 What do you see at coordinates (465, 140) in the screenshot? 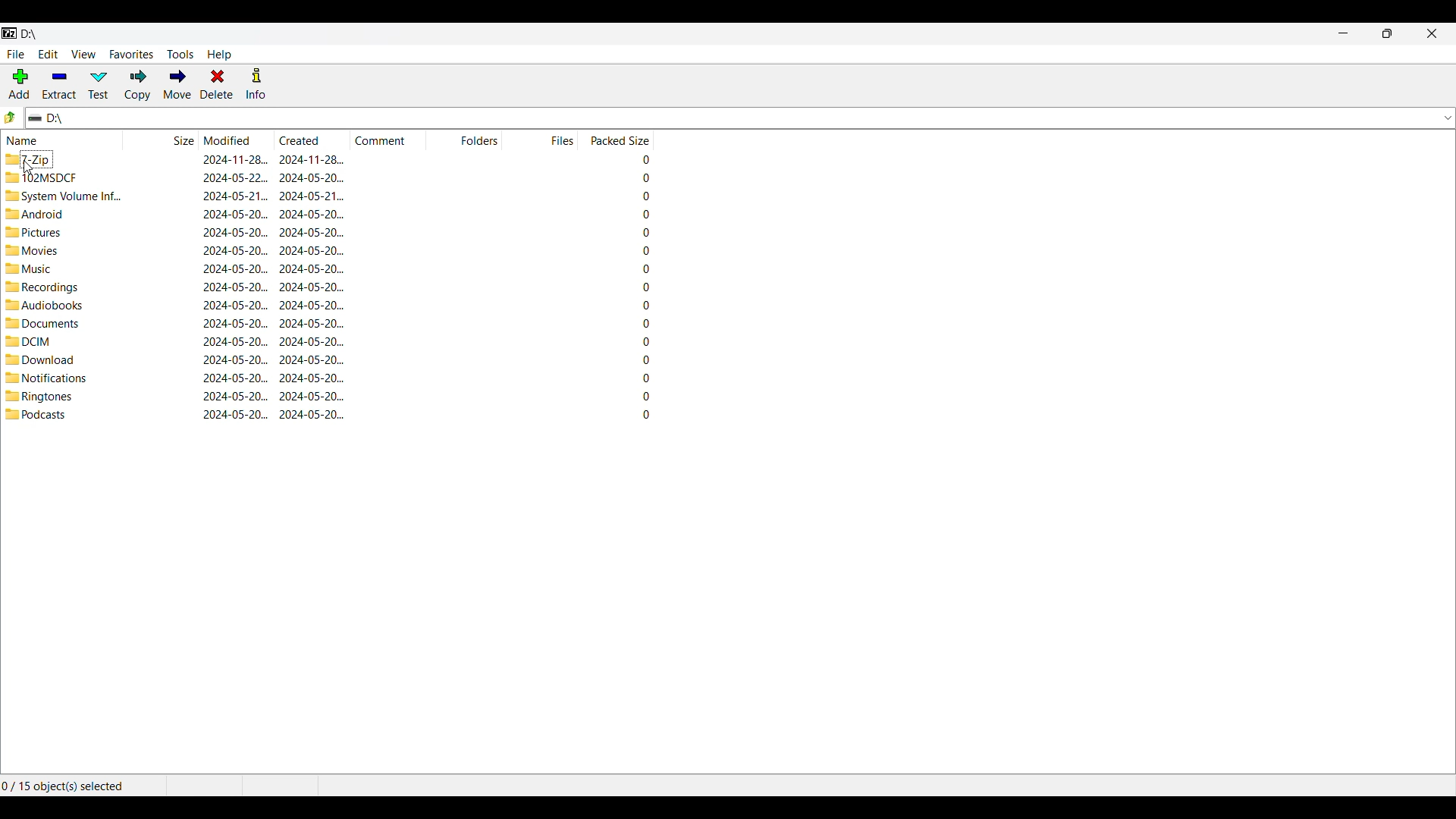
I see `Folders column` at bounding box center [465, 140].